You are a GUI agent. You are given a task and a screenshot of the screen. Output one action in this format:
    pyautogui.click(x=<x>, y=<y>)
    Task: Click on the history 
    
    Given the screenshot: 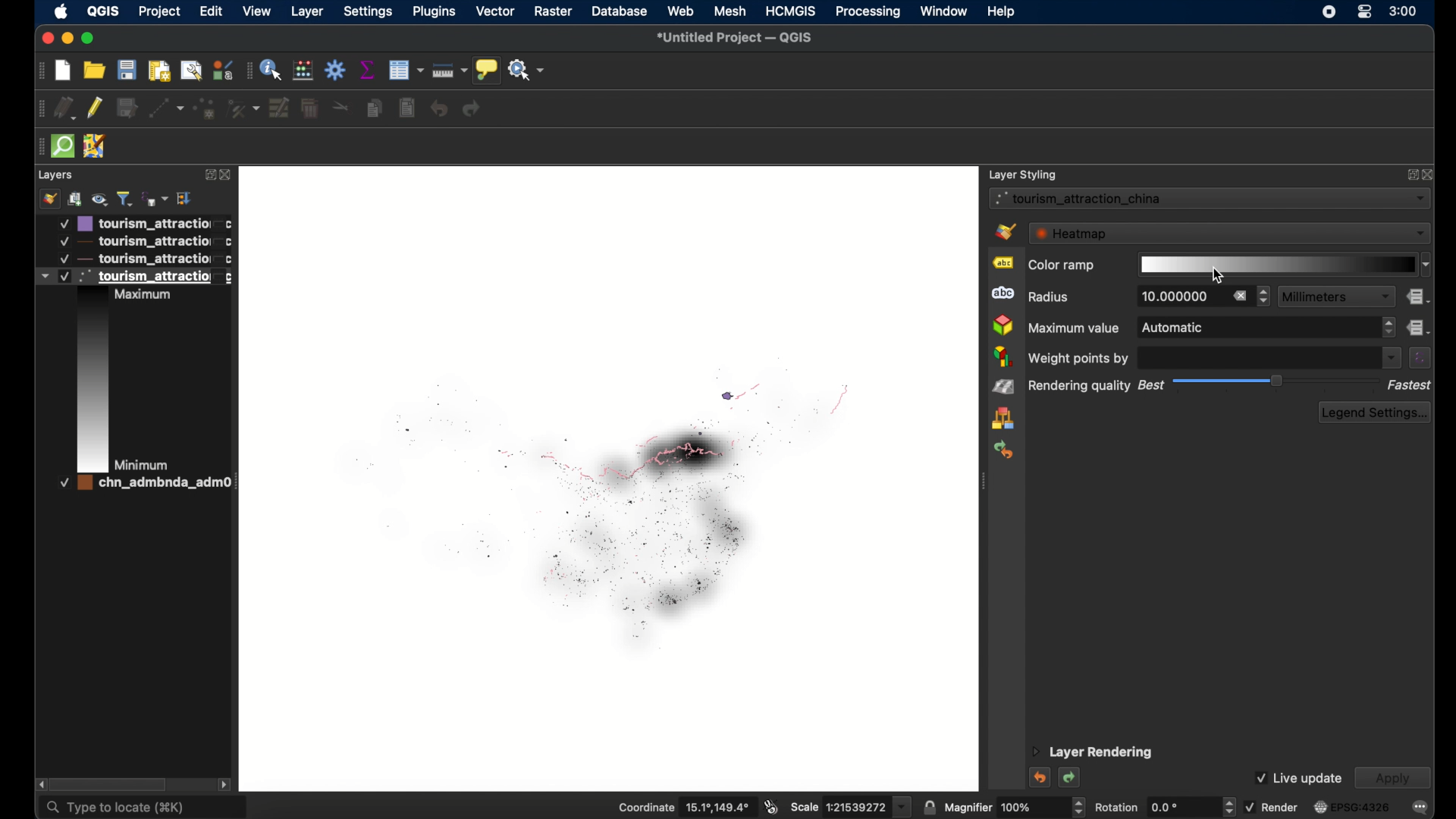 What is the action you would take?
    pyautogui.click(x=1006, y=449)
    